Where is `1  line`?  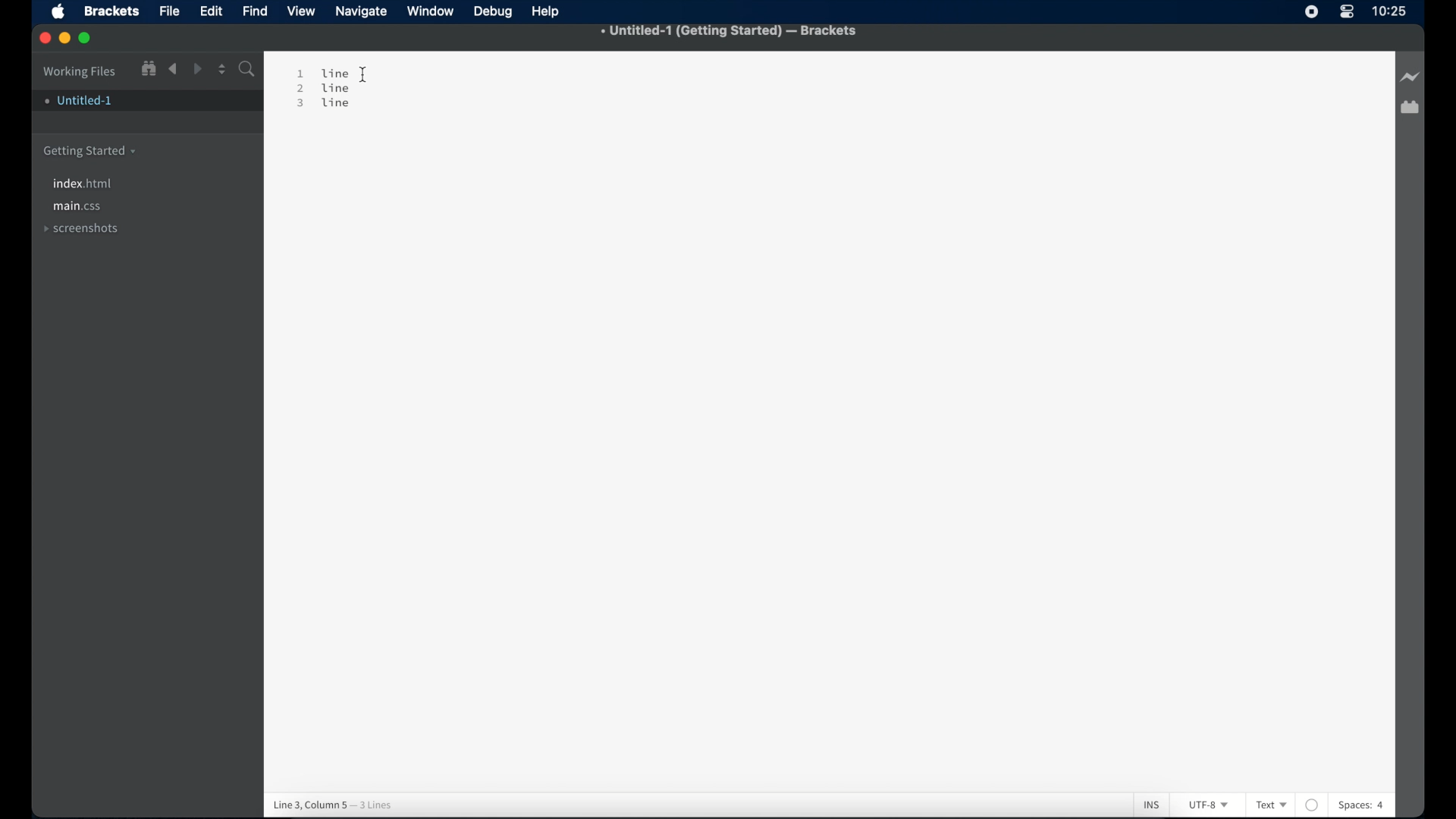
1  line is located at coordinates (325, 72).